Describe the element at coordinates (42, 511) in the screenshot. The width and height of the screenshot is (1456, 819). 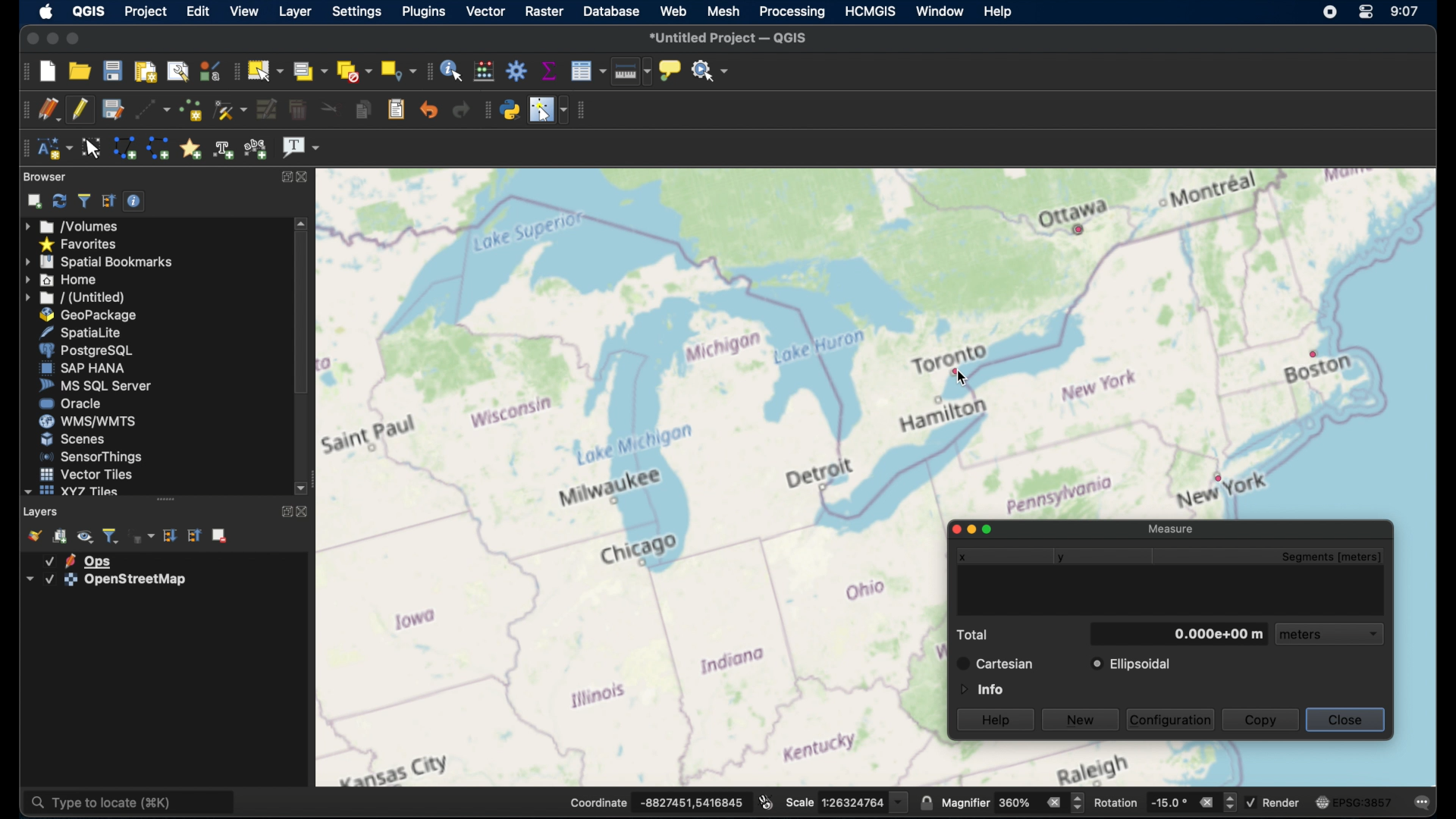
I see `layers` at that location.